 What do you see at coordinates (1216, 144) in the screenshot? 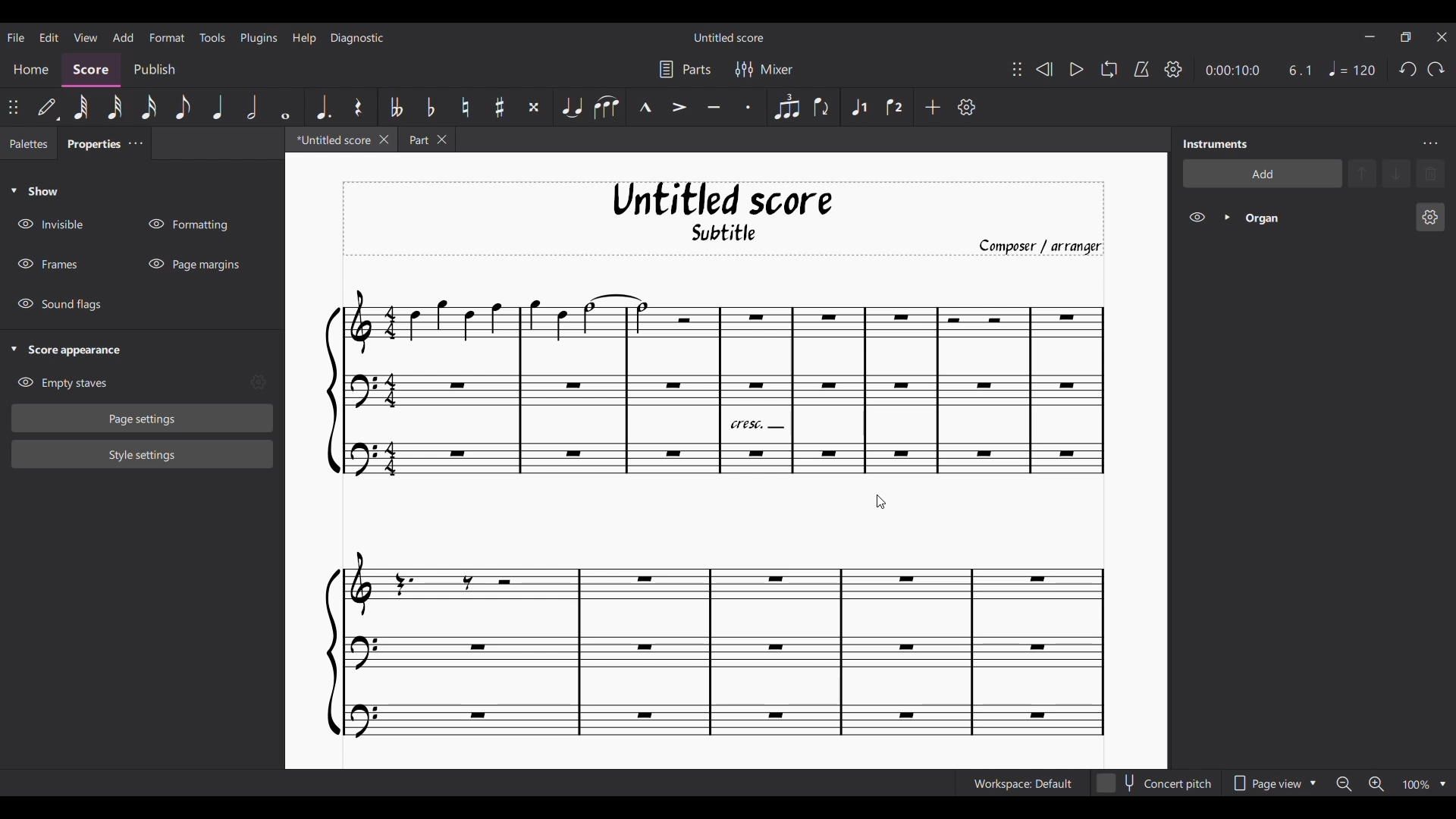
I see `Panel title` at bounding box center [1216, 144].